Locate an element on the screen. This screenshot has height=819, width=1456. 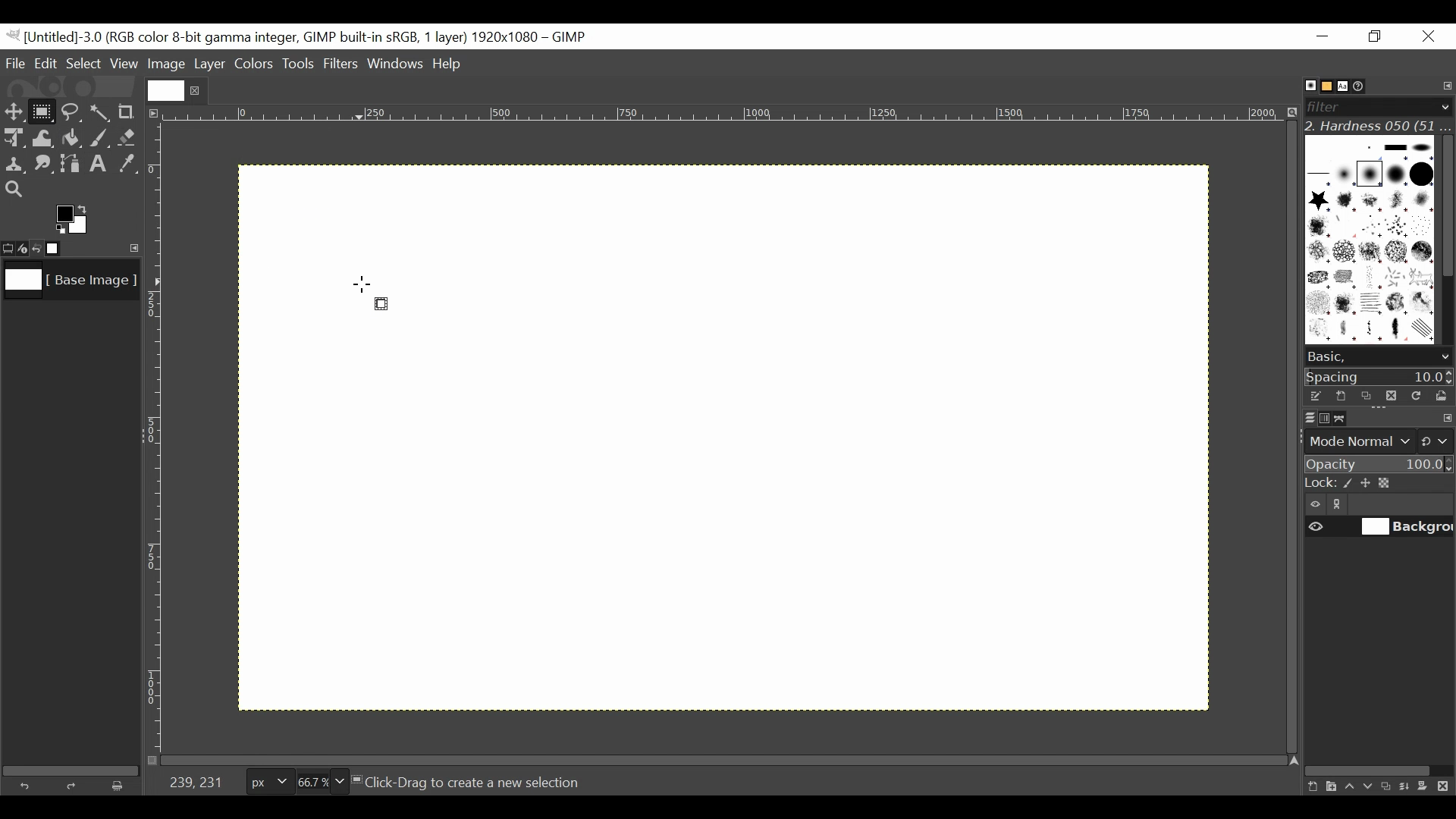
configure this tab is located at coordinates (1447, 419).